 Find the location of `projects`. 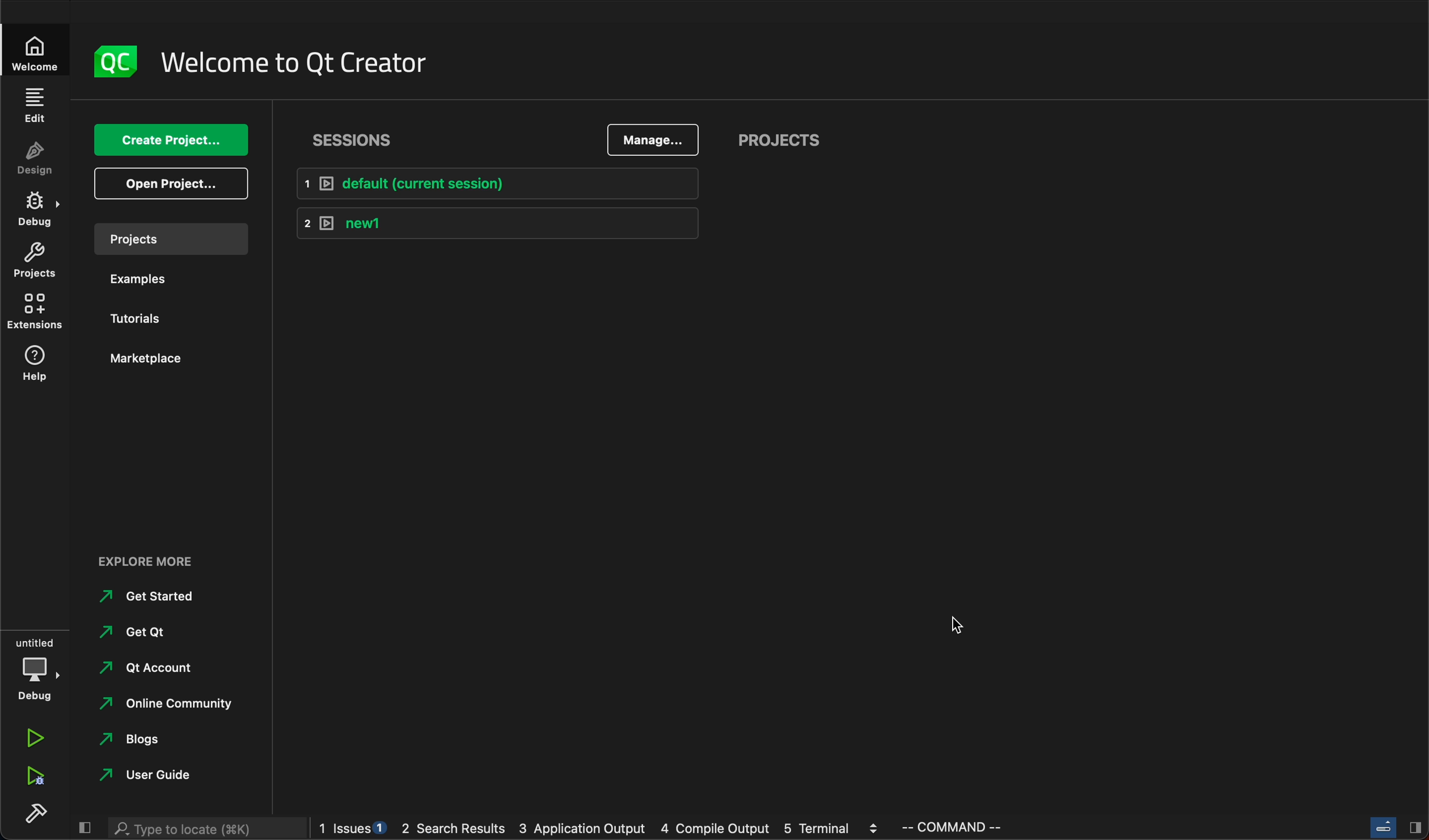

projects is located at coordinates (170, 239).